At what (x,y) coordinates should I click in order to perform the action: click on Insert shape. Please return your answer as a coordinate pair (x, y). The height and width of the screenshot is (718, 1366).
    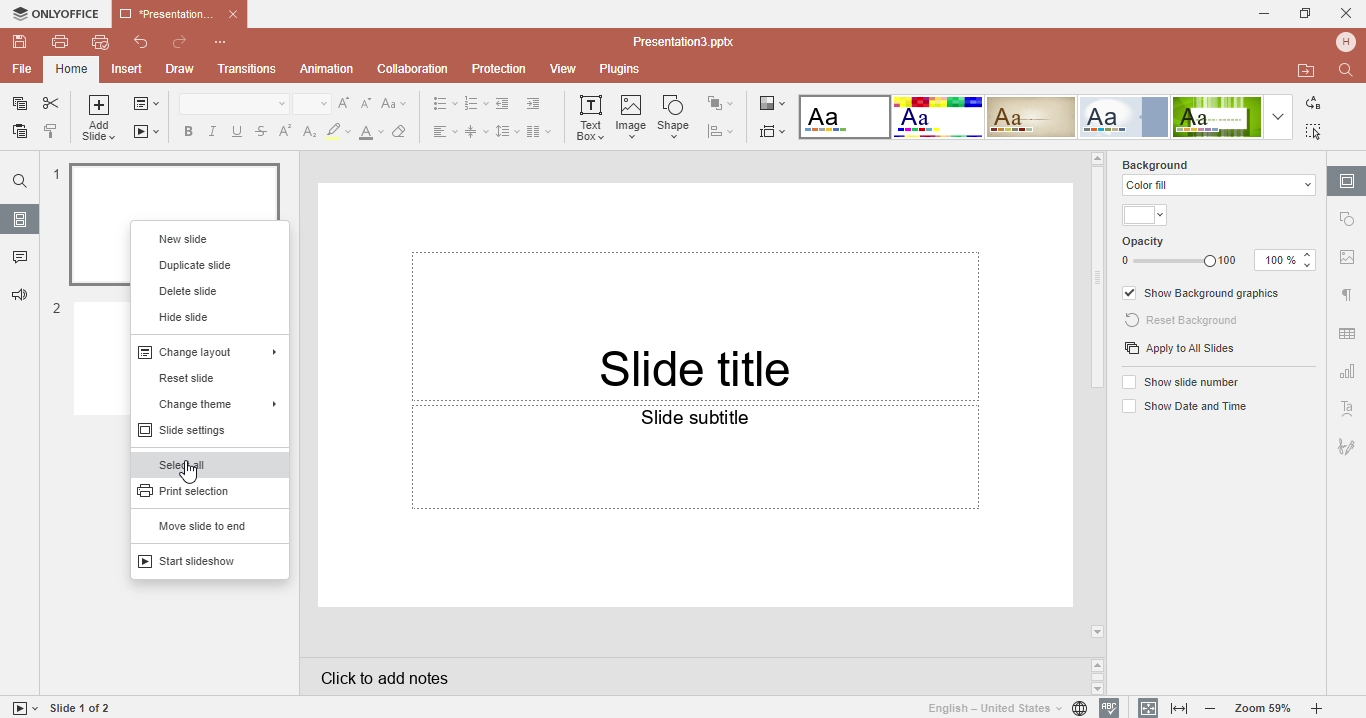
    Looking at the image, I should click on (677, 116).